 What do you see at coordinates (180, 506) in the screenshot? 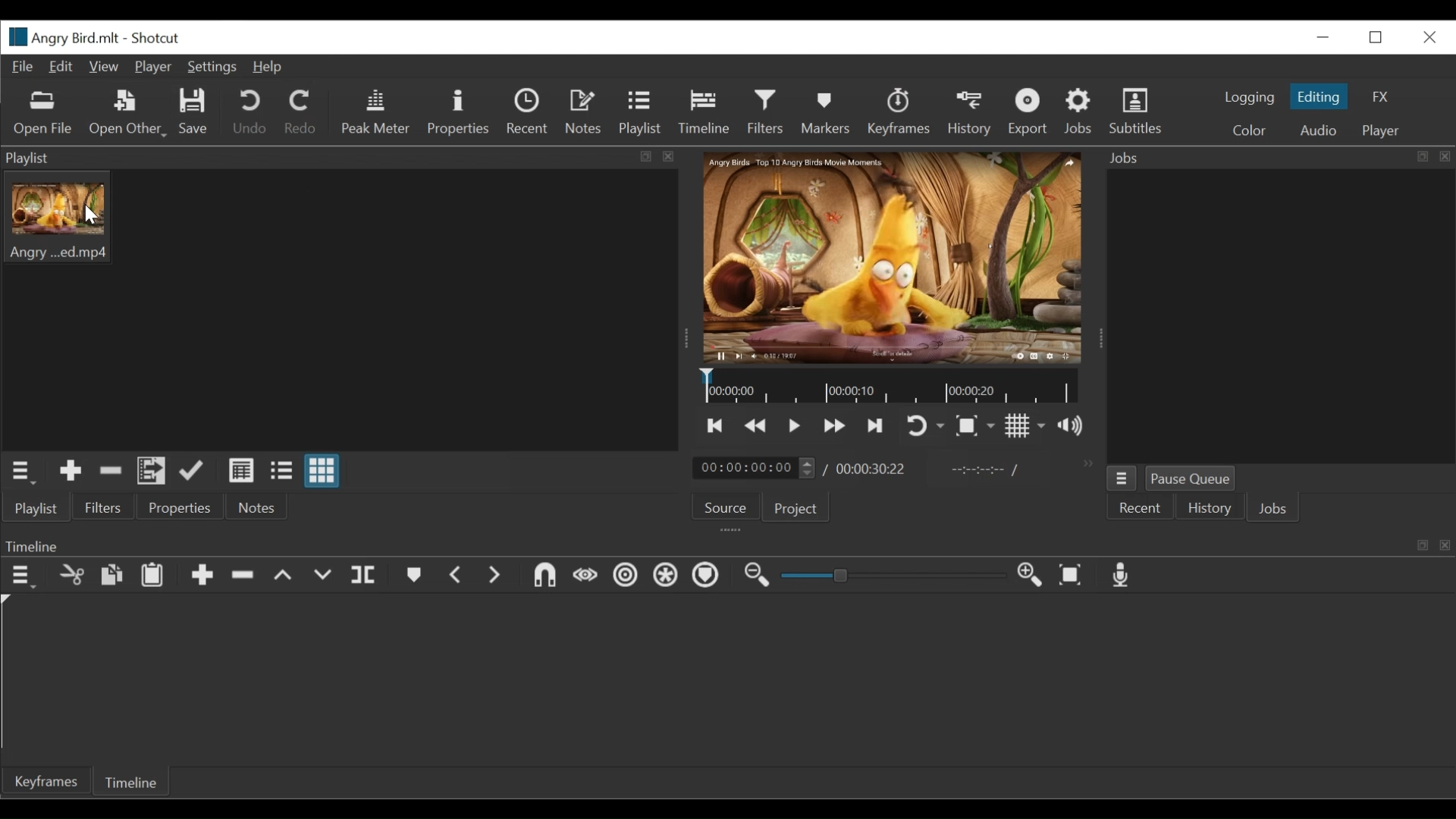
I see `Properties` at bounding box center [180, 506].